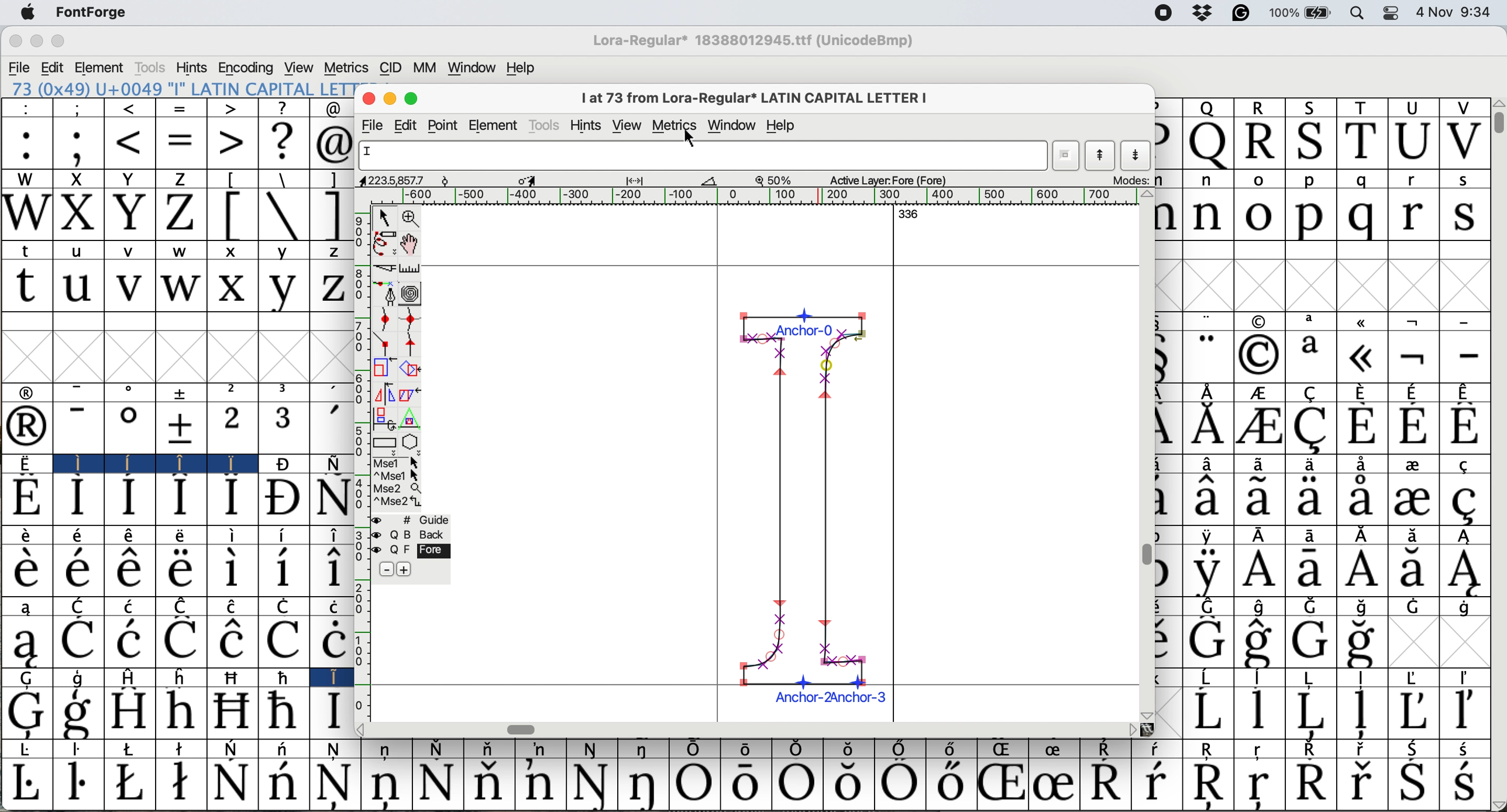 The image size is (1507, 812). I want to click on Symbol, so click(131, 536).